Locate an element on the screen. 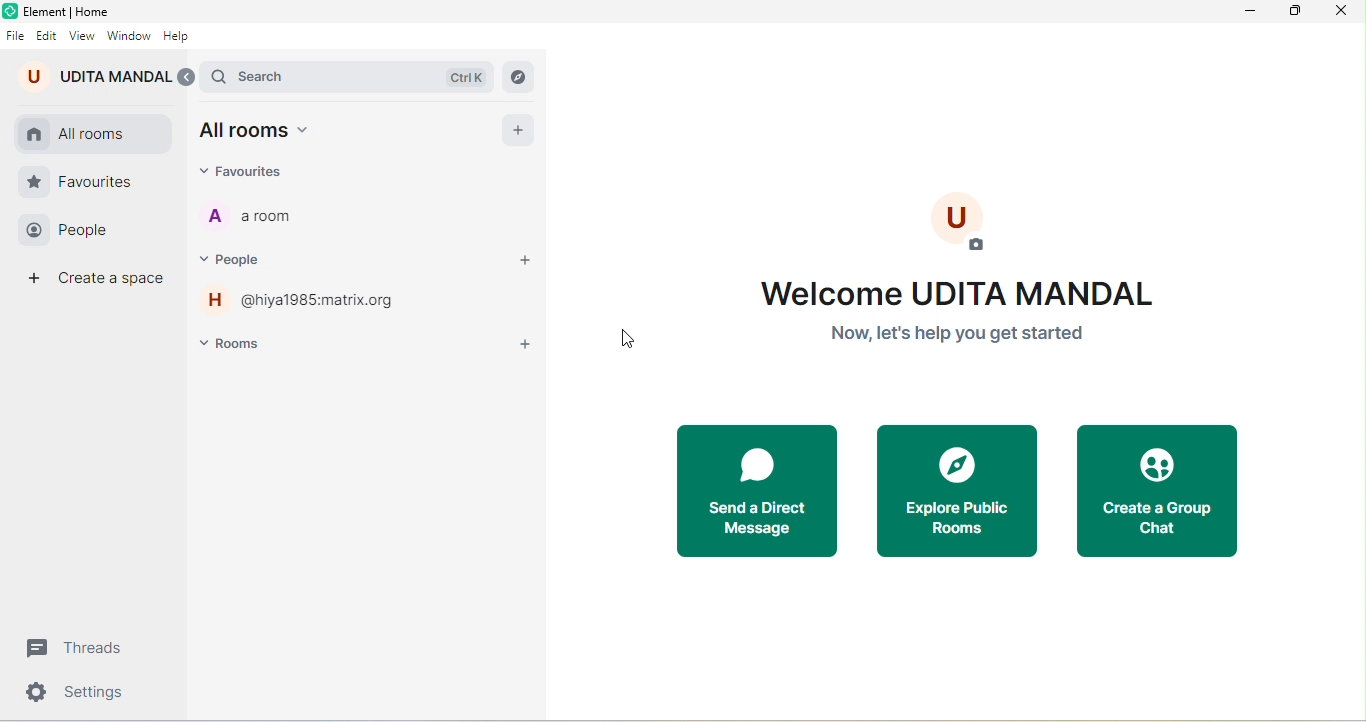 The width and height of the screenshot is (1366, 722). add is located at coordinates (517, 133).